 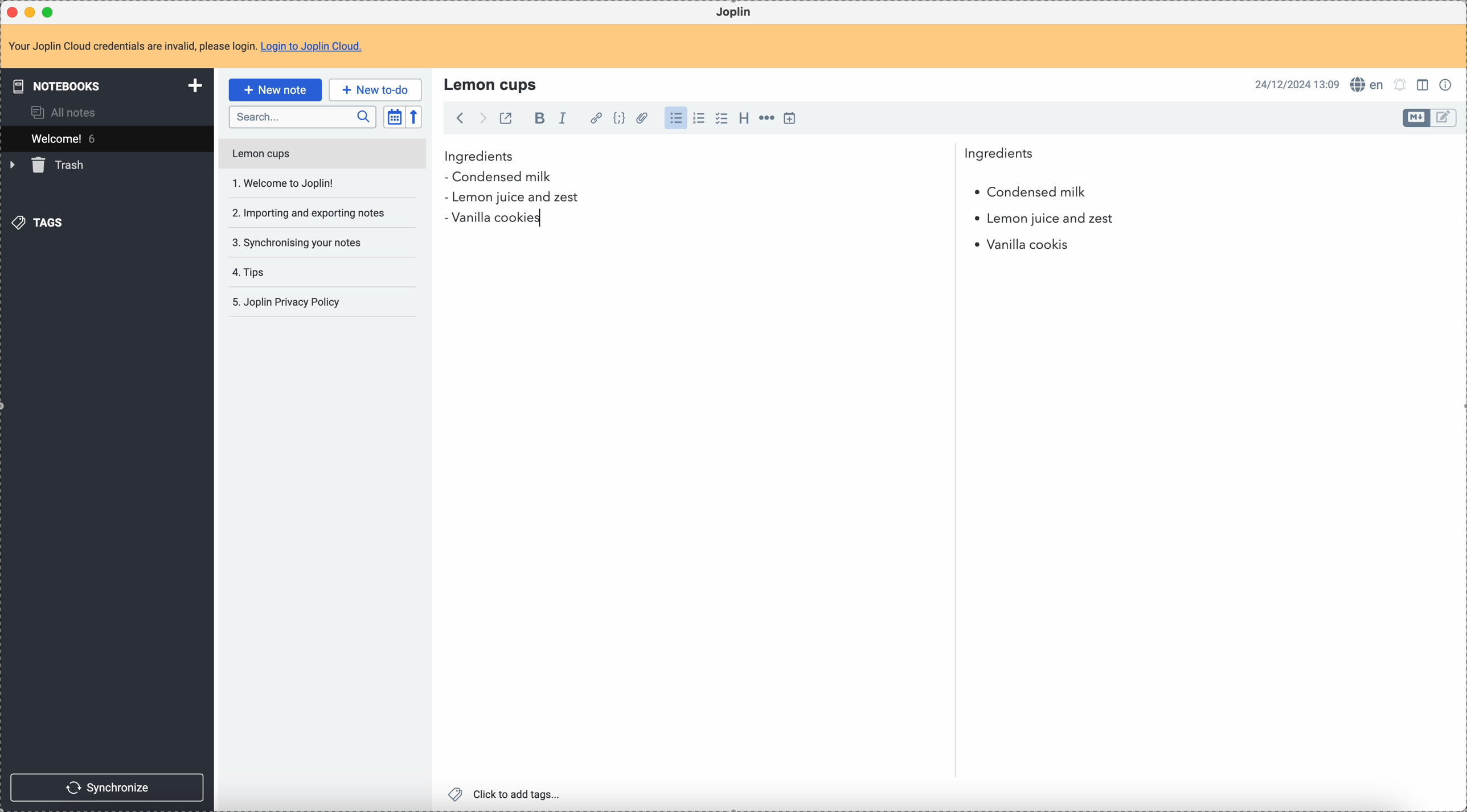 What do you see at coordinates (51, 11) in the screenshot?
I see `maximize` at bounding box center [51, 11].